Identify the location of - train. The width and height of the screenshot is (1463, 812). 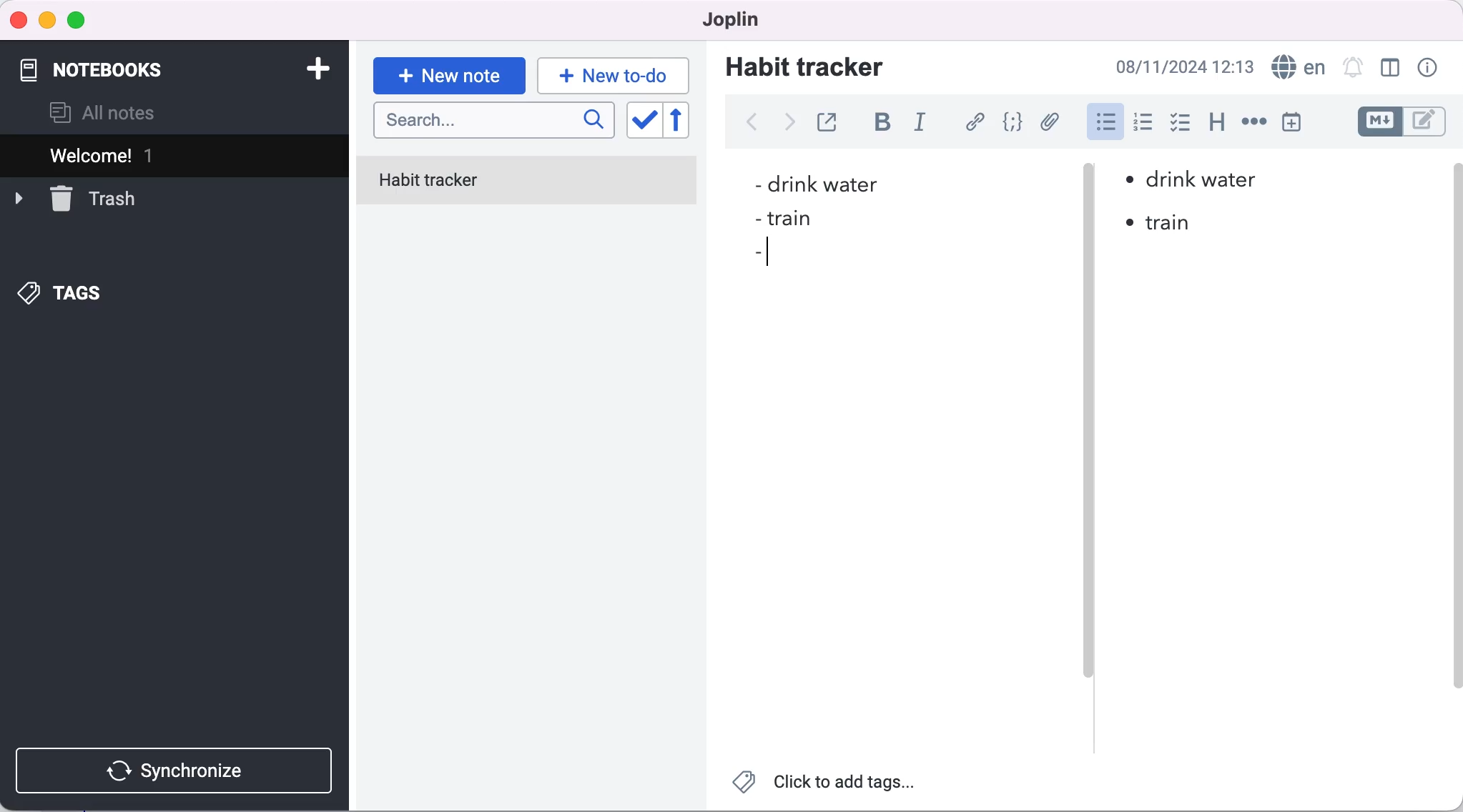
(779, 220).